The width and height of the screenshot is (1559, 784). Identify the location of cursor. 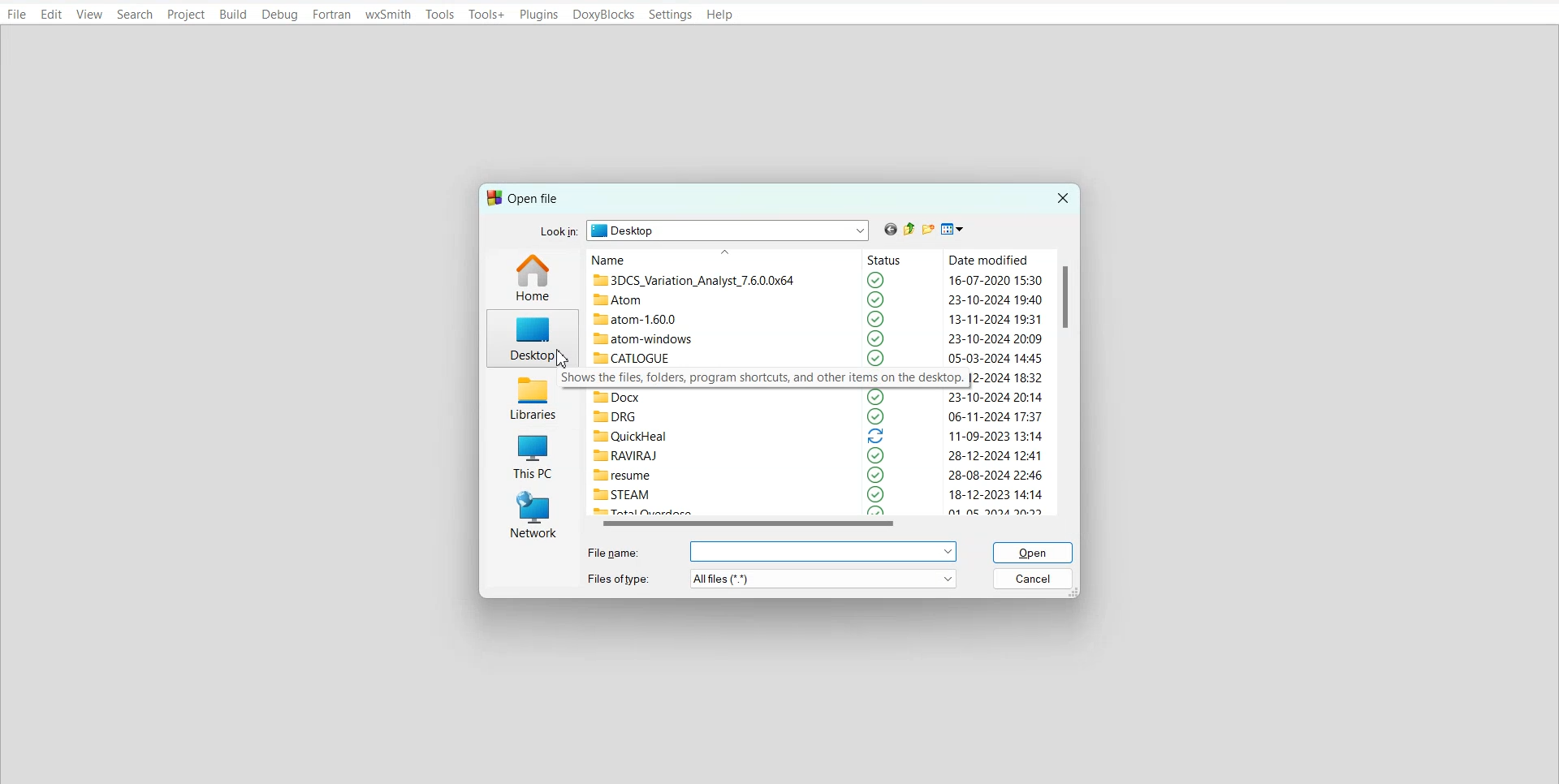
(565, 360).